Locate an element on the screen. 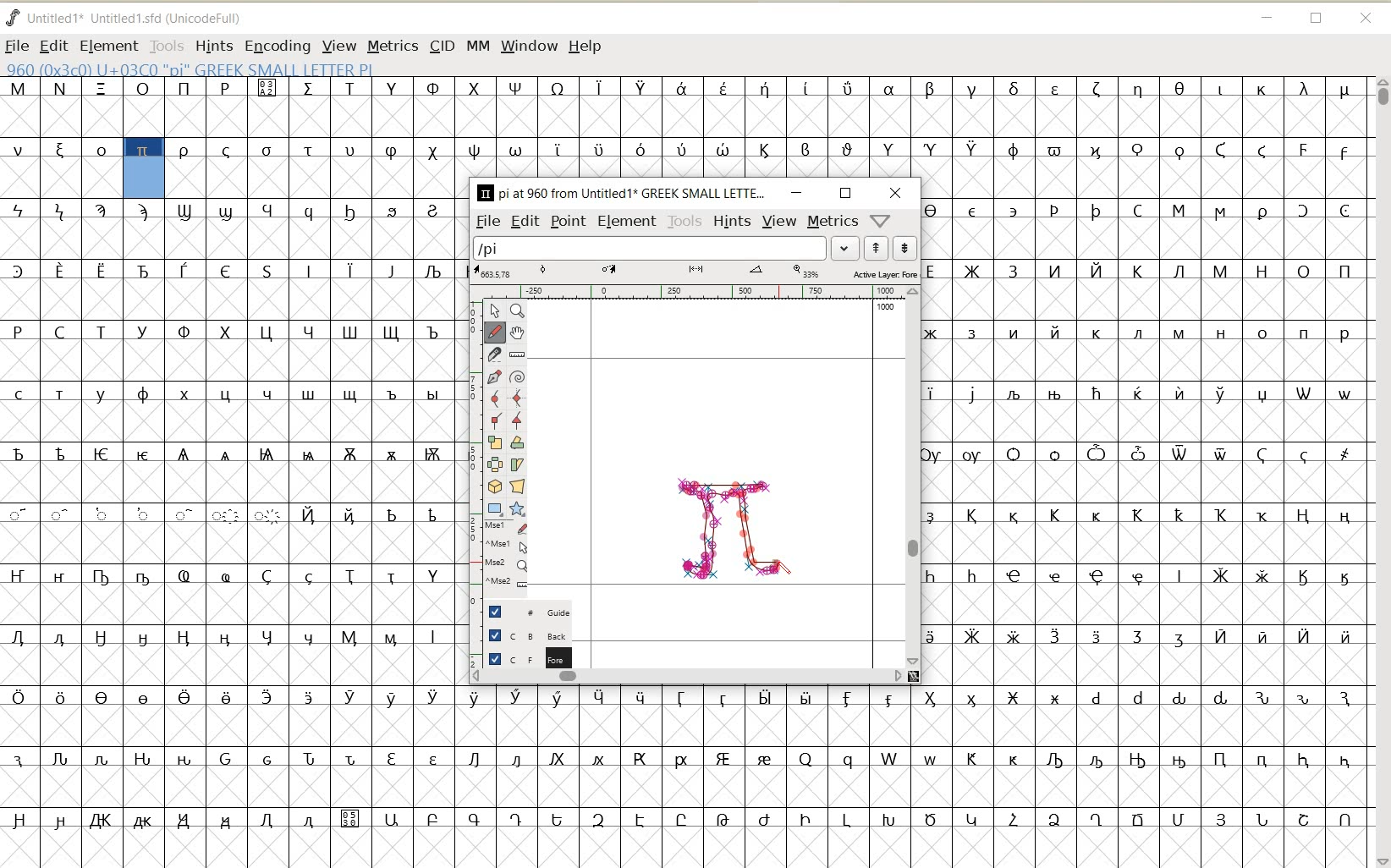 The width and height of the screenshot is (1391, 868). Magnify is located at coordinates (519, 312).